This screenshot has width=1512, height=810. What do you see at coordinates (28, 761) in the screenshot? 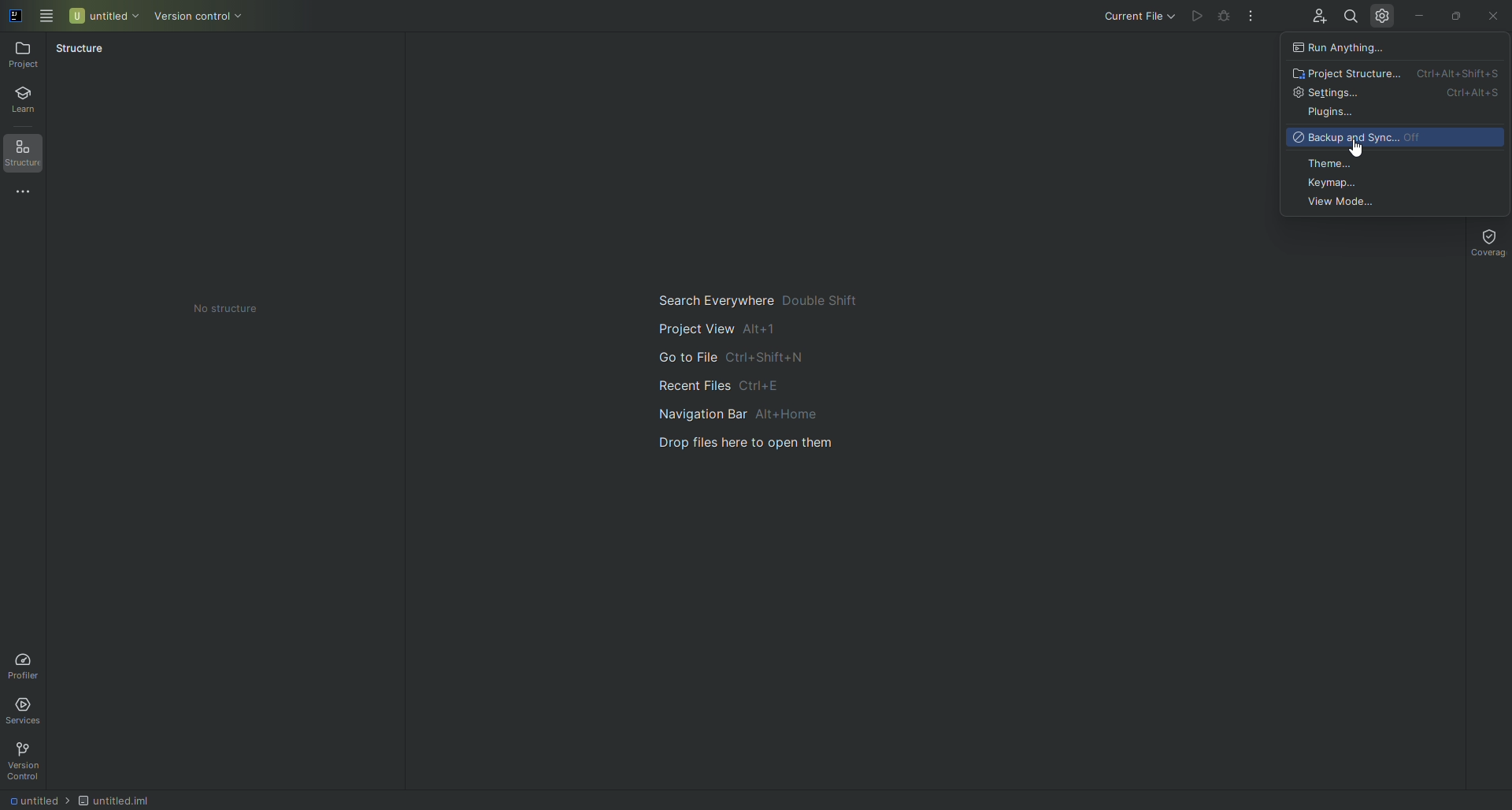
I see `Version Control` at bounding box center [28, 761].